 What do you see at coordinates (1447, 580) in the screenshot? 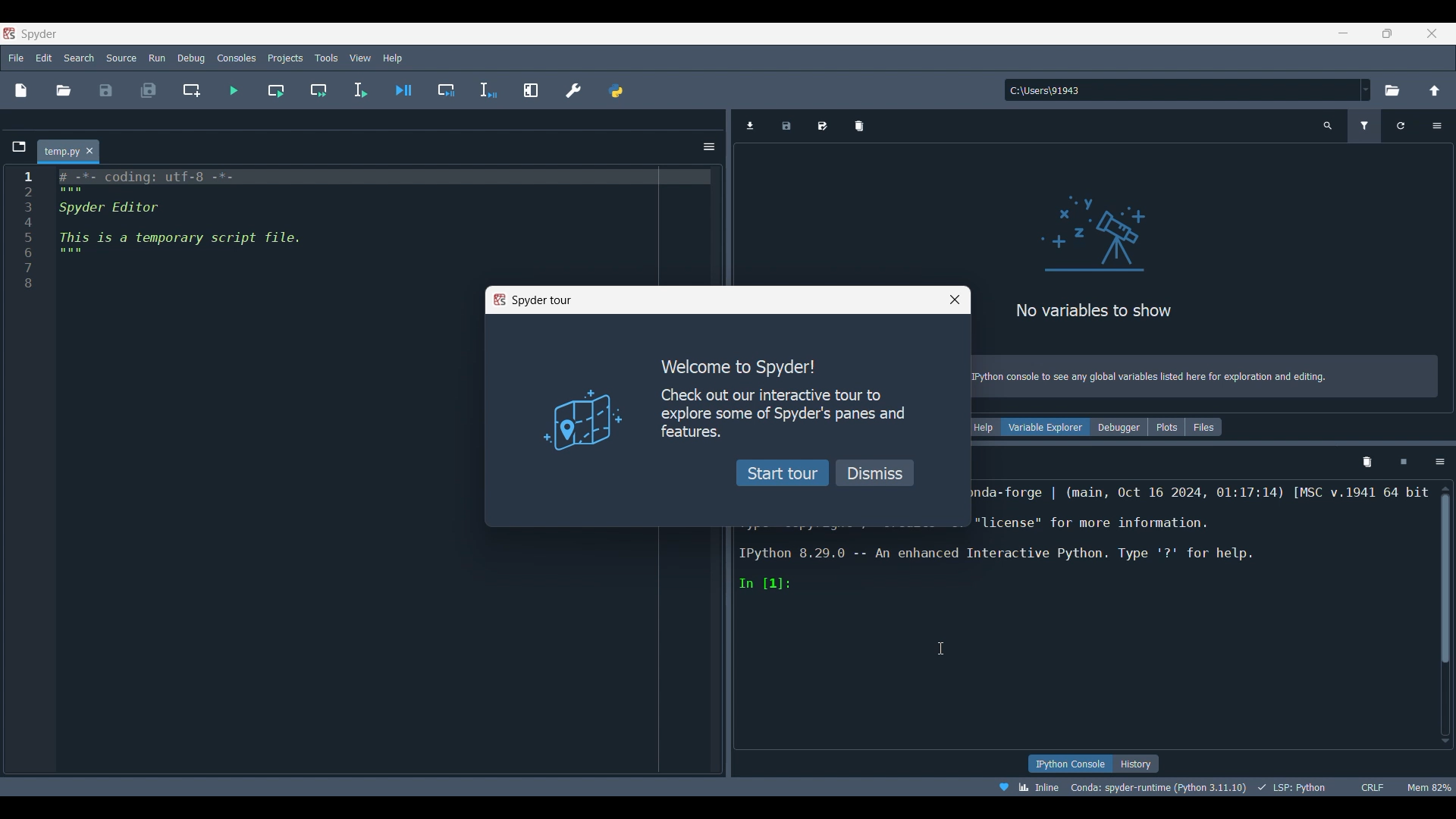
I see `sscrollbar` at bounding box center [1447, 580].